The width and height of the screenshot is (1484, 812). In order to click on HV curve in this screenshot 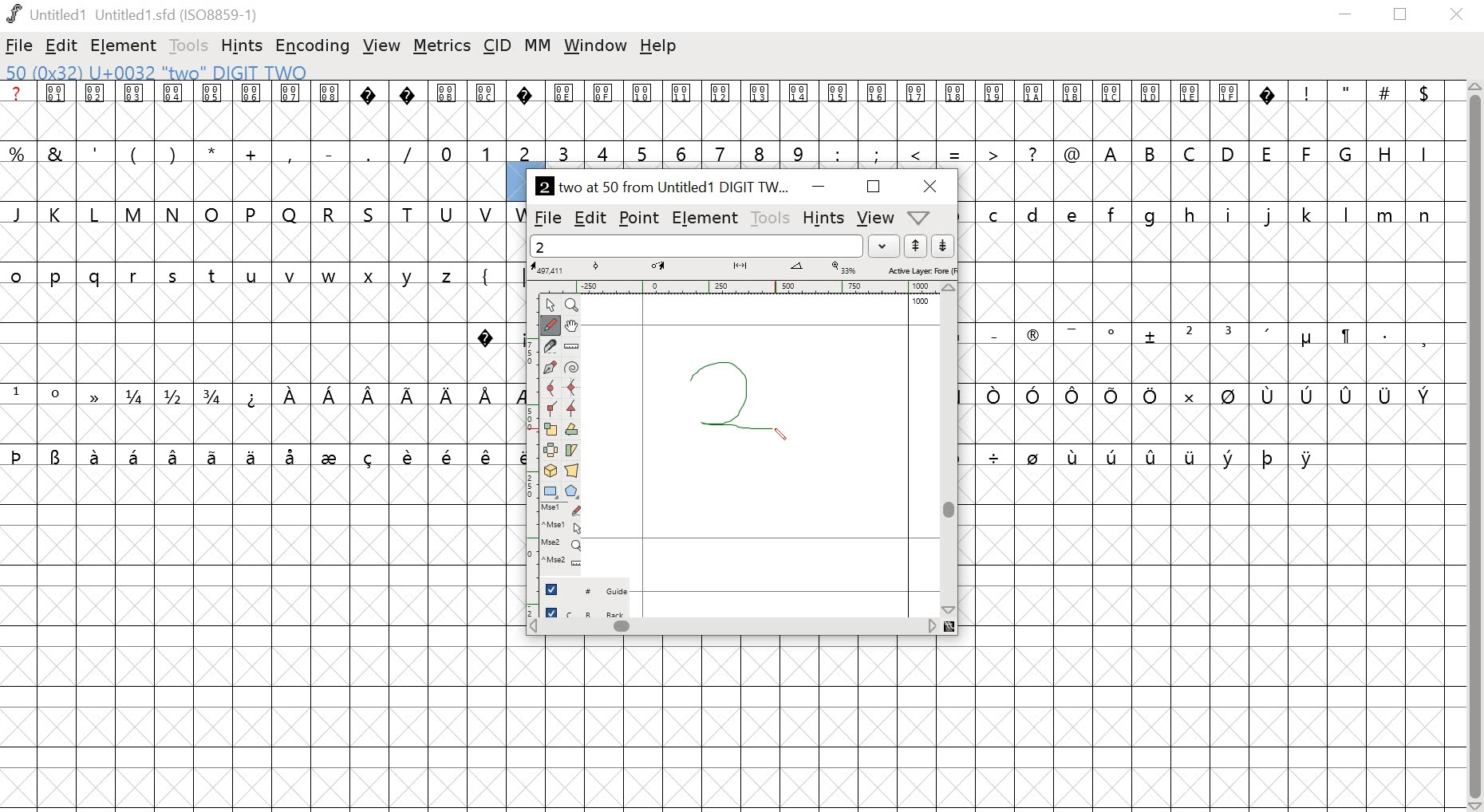, I will do `click(571, 388)`.